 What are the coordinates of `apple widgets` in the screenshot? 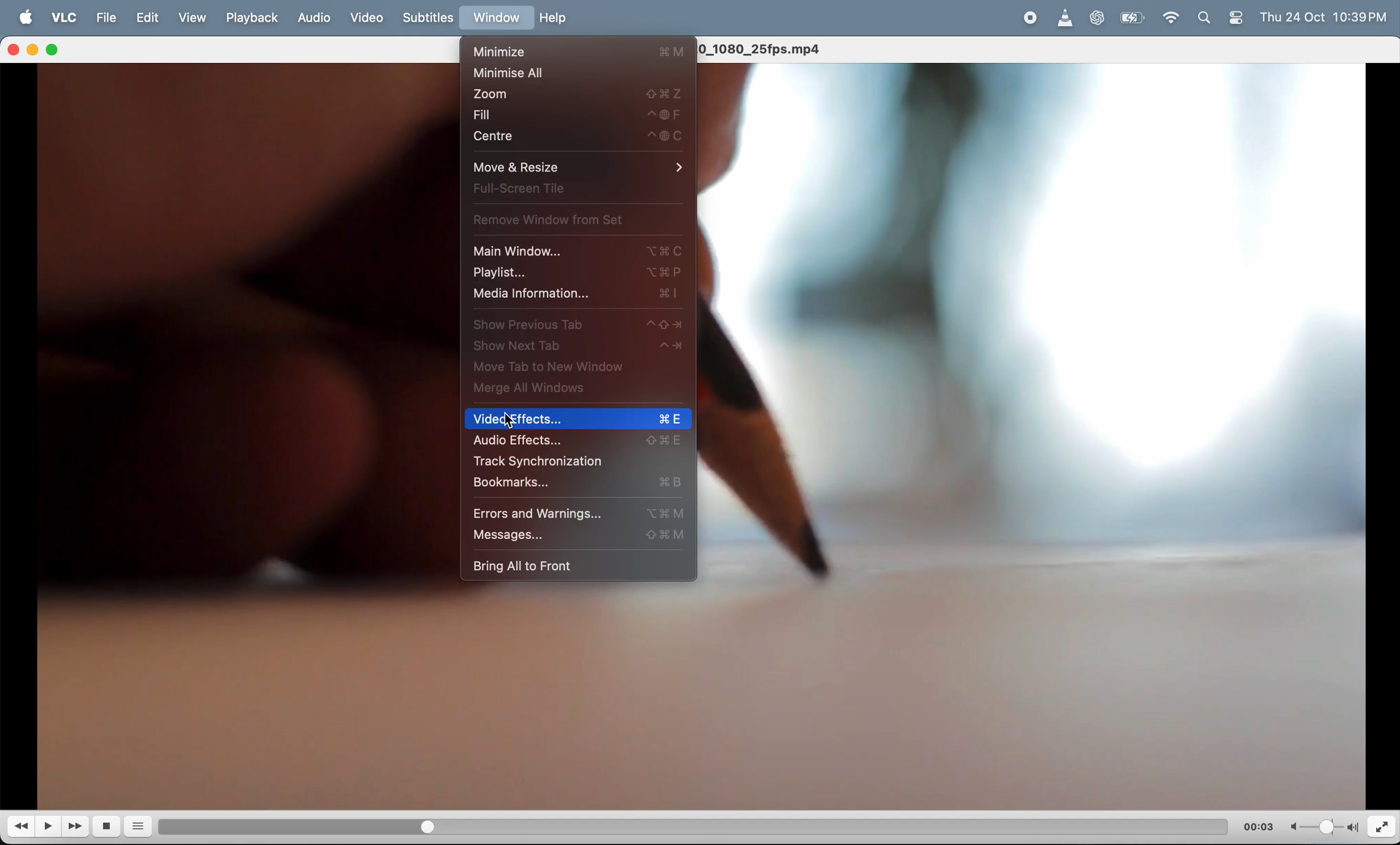 It's located at (1222, 18).